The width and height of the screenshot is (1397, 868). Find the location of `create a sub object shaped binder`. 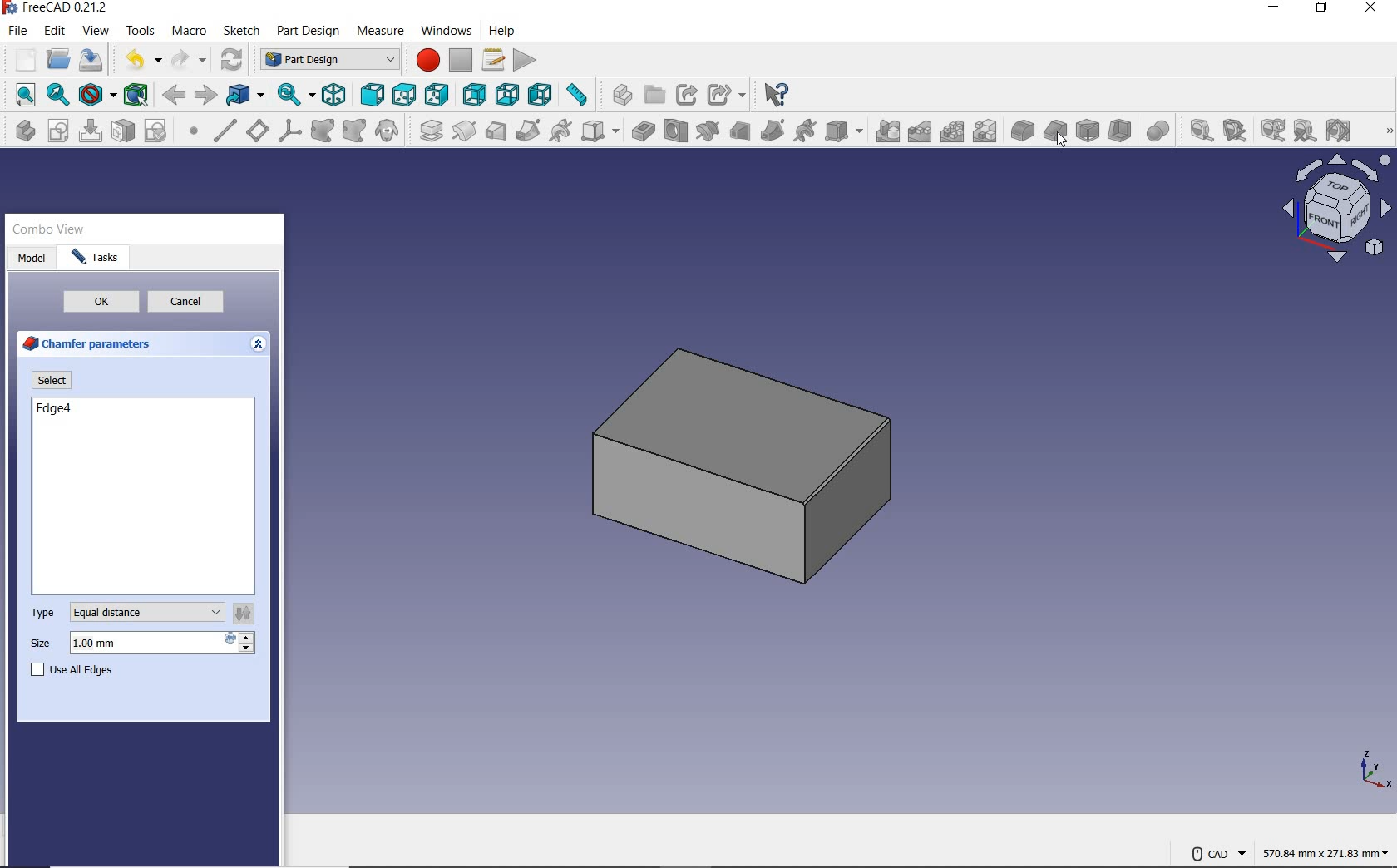

create a sub object shaped binder is located at coordinates (354, 131).